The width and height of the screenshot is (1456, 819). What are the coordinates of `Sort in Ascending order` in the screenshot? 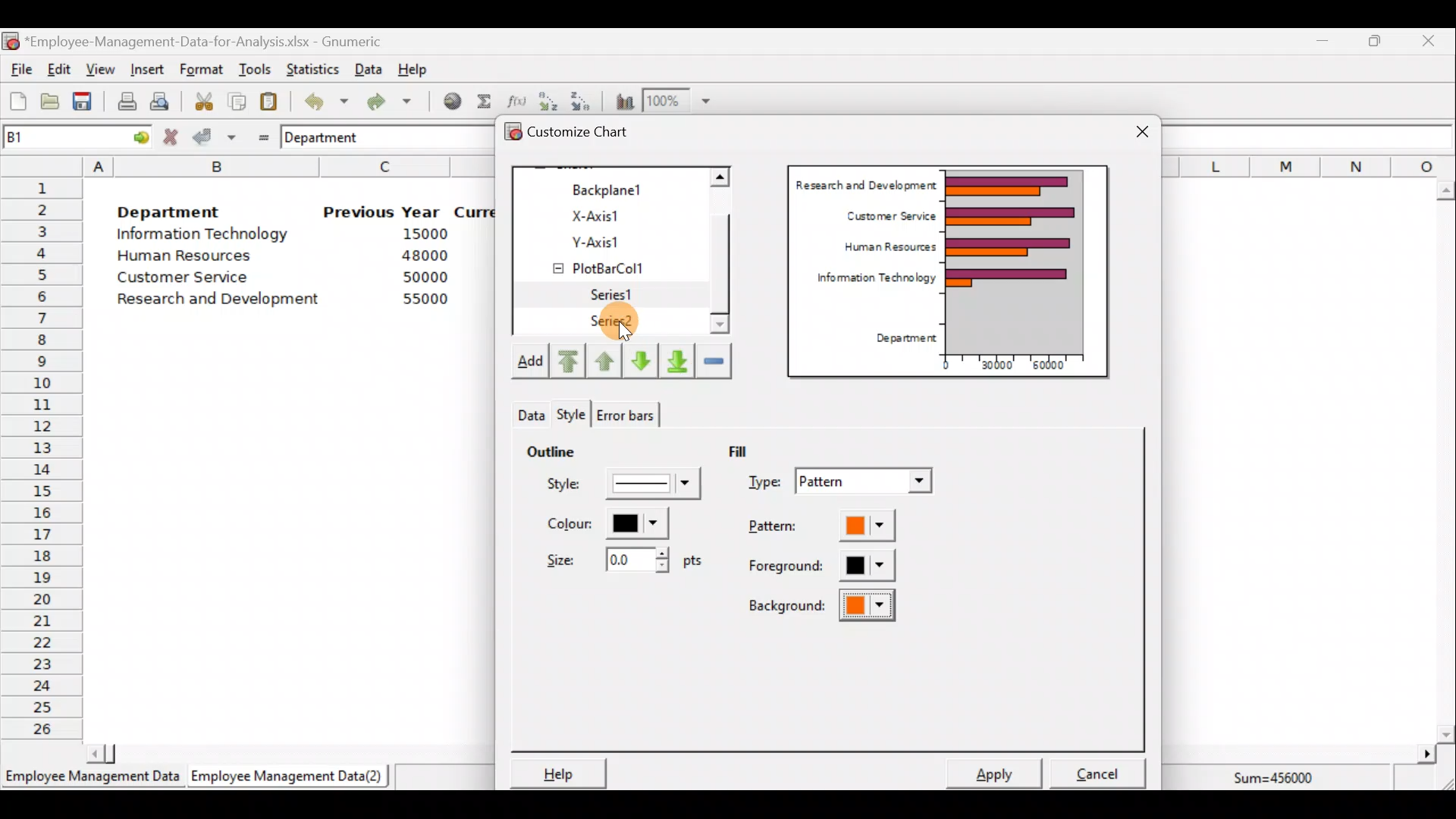 It's located at (548, 101).